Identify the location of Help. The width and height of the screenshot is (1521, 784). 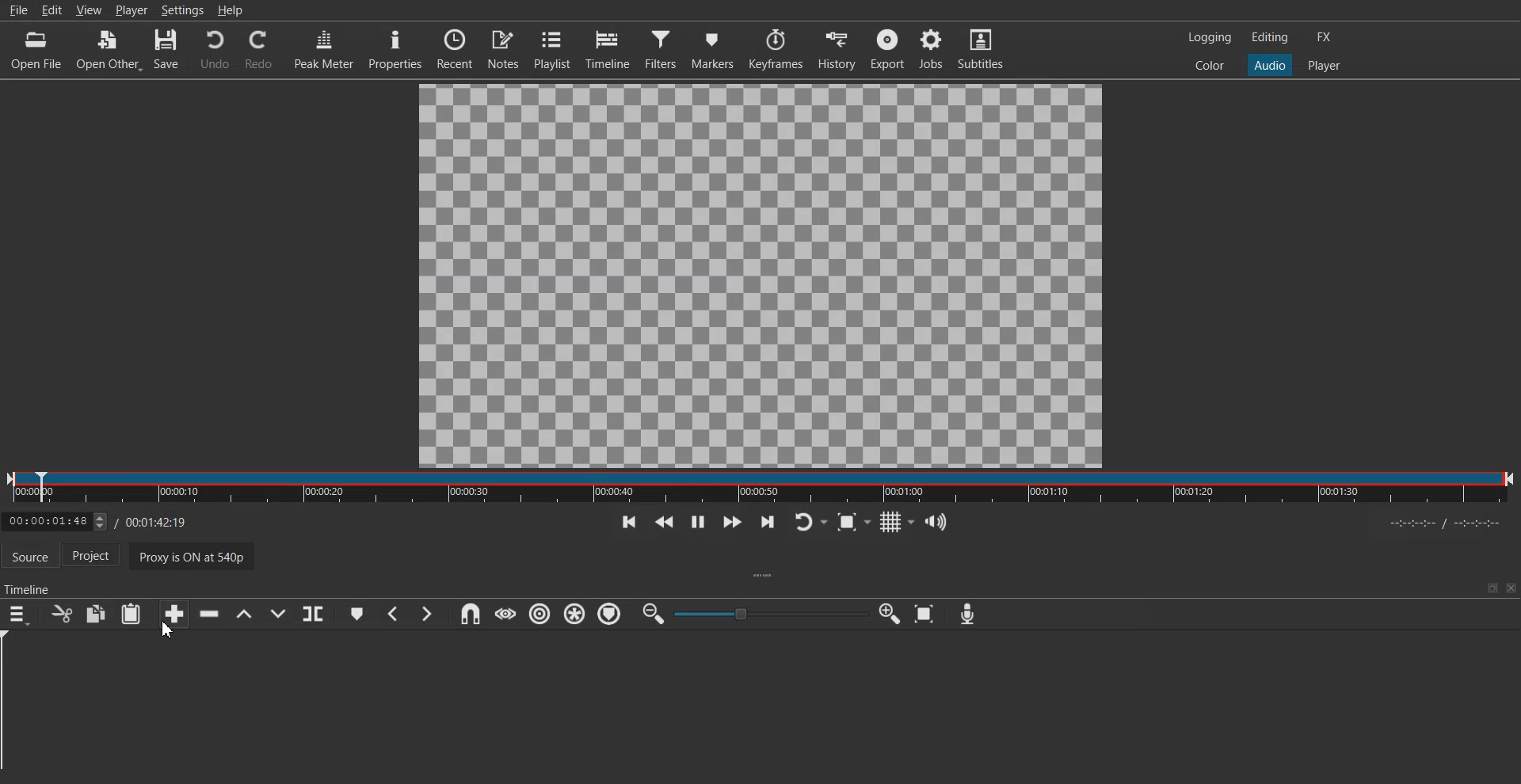
(231, 10).